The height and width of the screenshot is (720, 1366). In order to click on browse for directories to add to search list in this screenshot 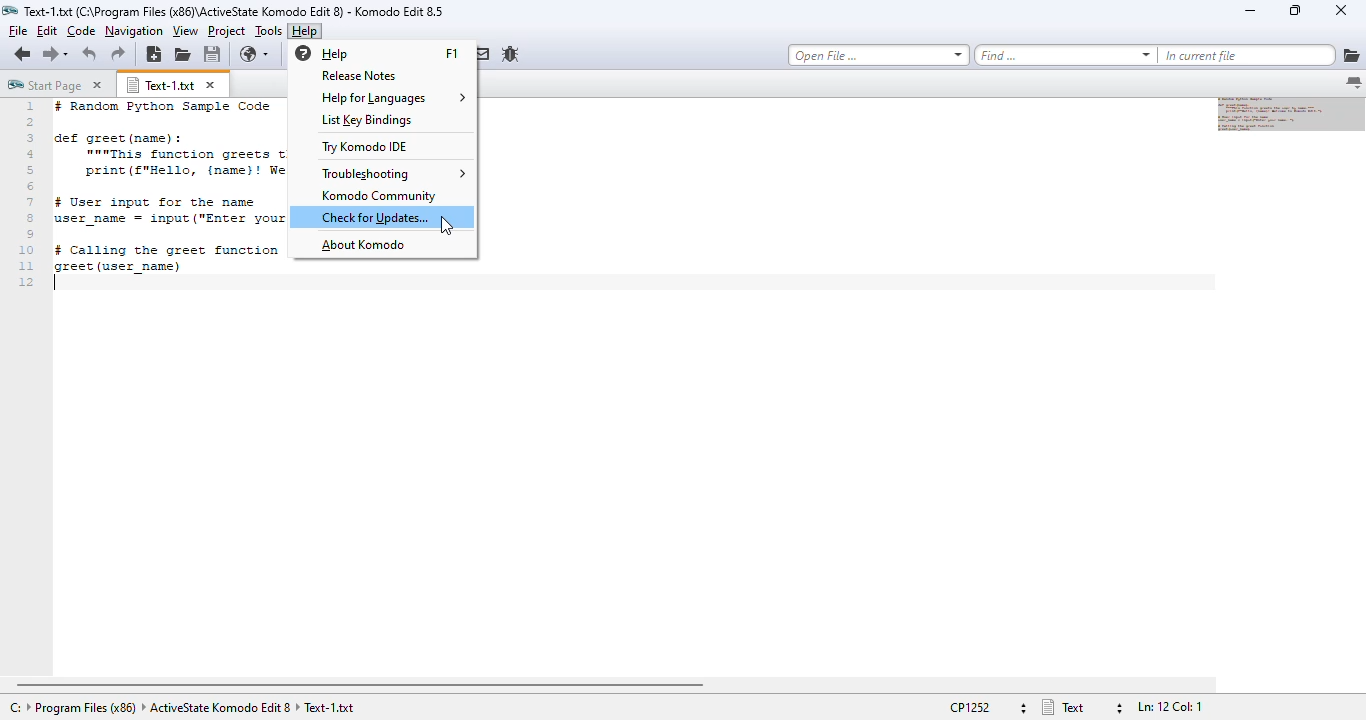, I will do `click(1351, 56)`.